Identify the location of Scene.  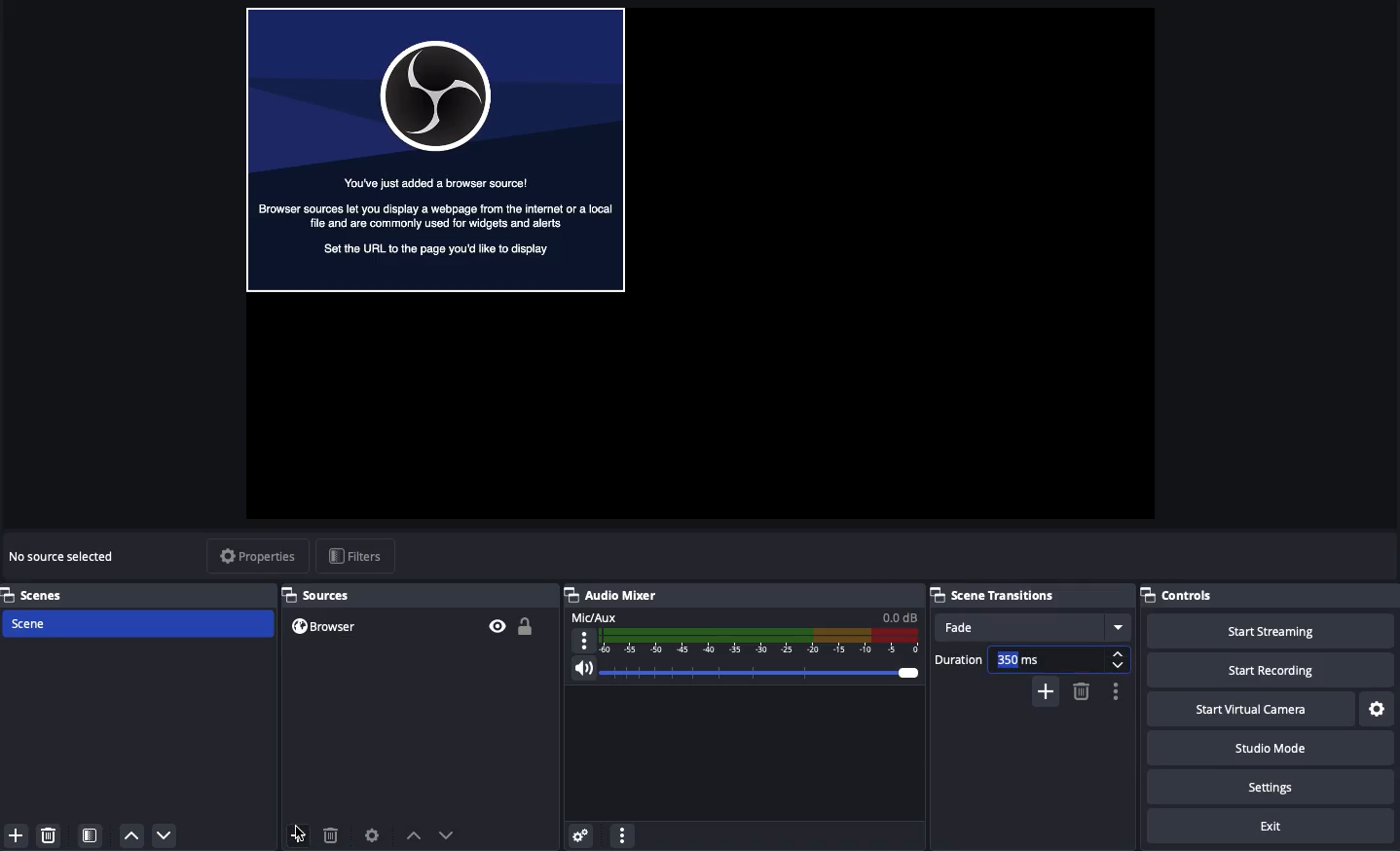
(142, 624).